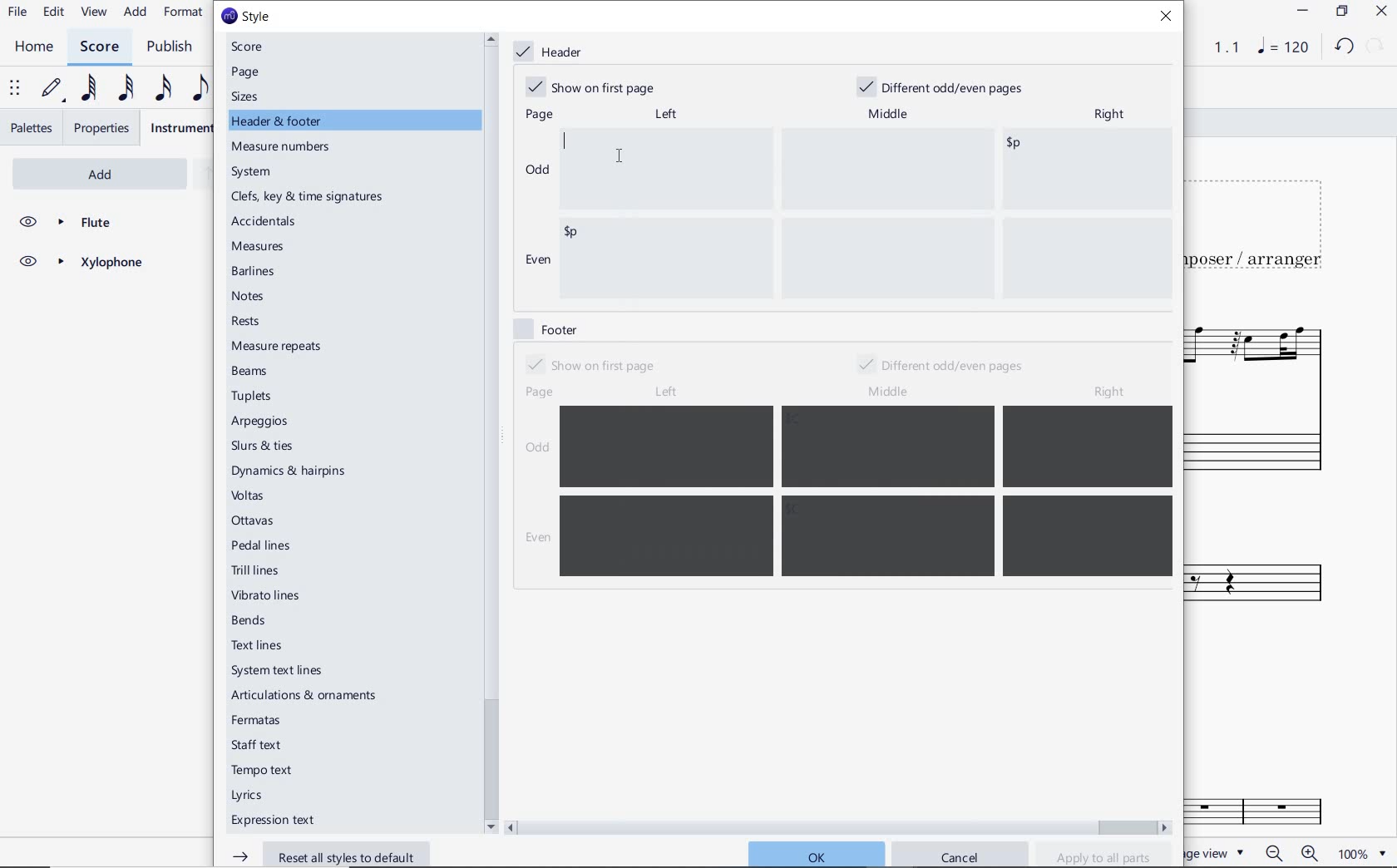  I want to click on barlines, so click(256, 273).